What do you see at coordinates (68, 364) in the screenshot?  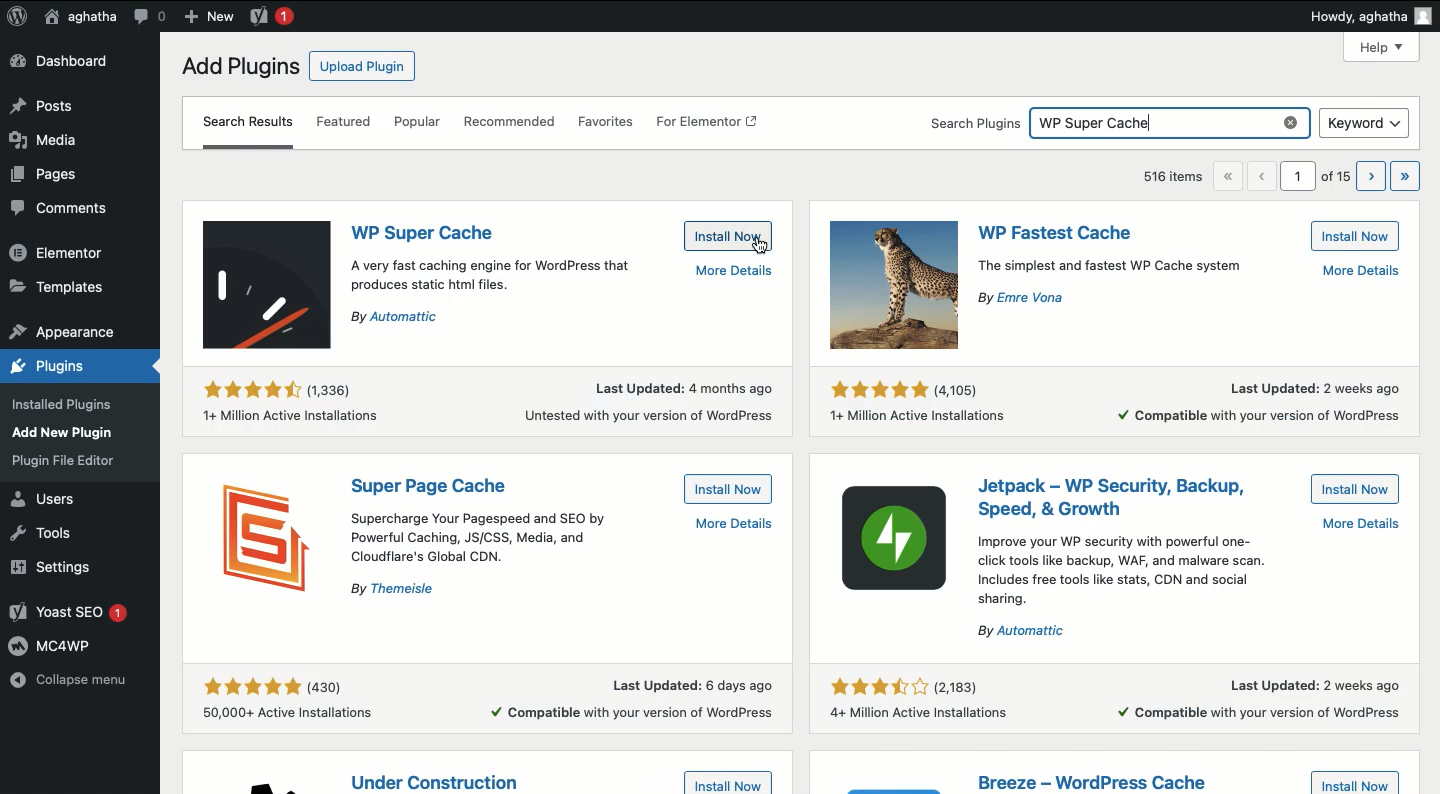 I see `plugins` at bounding box center [68, 364].